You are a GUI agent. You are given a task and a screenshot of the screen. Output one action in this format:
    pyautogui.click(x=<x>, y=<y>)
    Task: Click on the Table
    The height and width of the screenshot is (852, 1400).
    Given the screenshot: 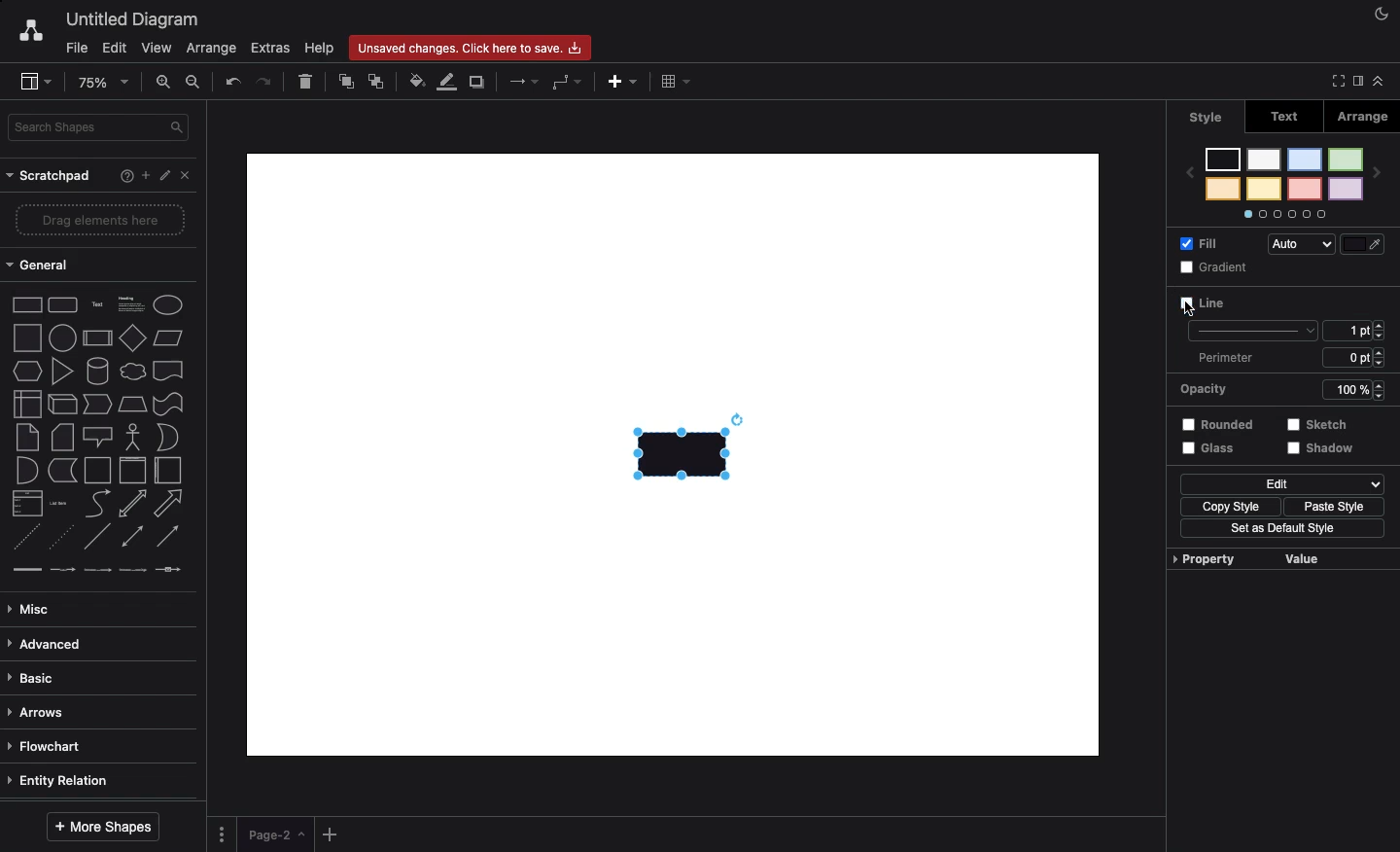 What is the action you would take?
    pyautogui.click(x=680, y=83)
    